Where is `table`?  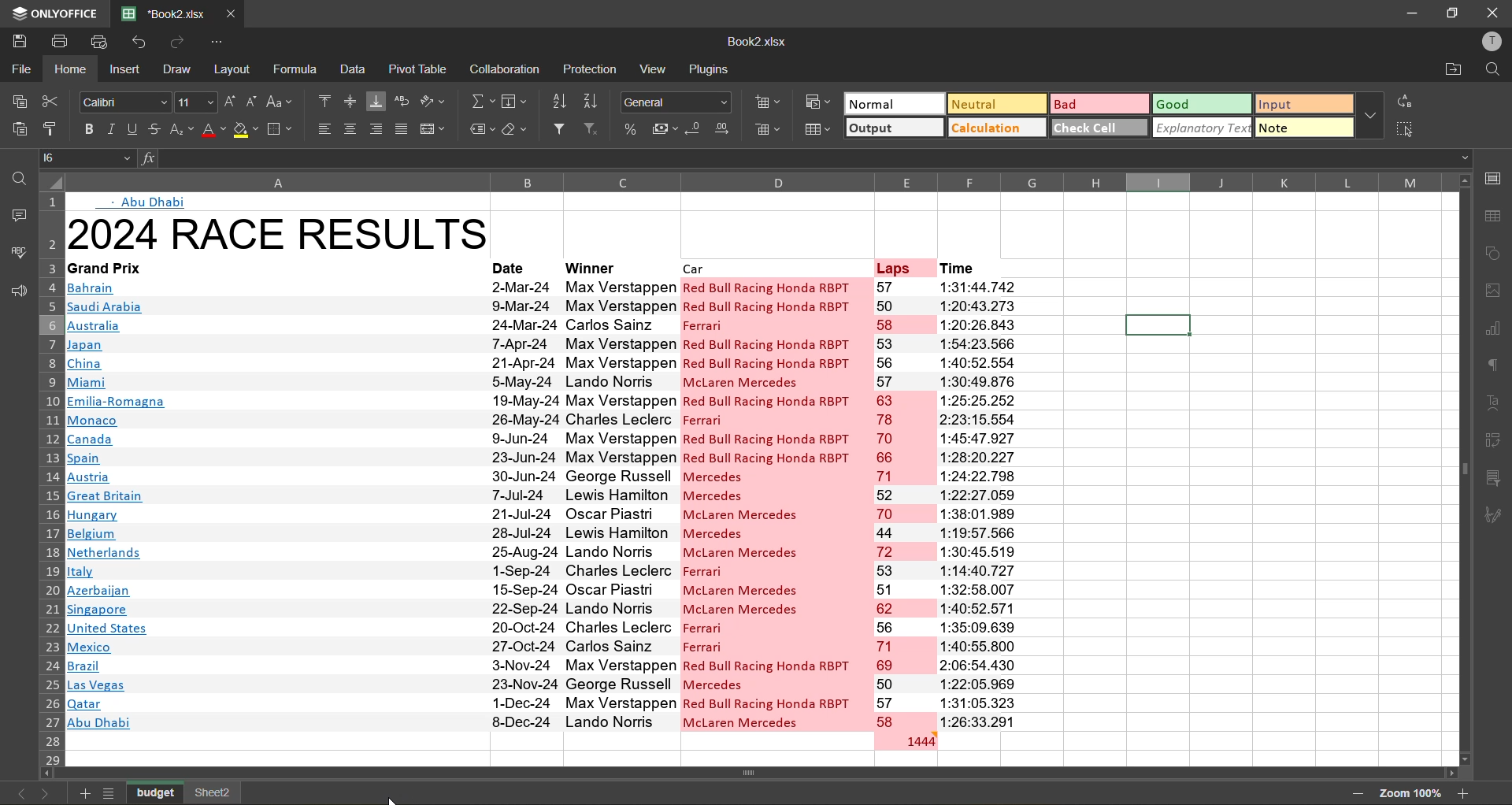 table is located at coordinates (1494, 214).